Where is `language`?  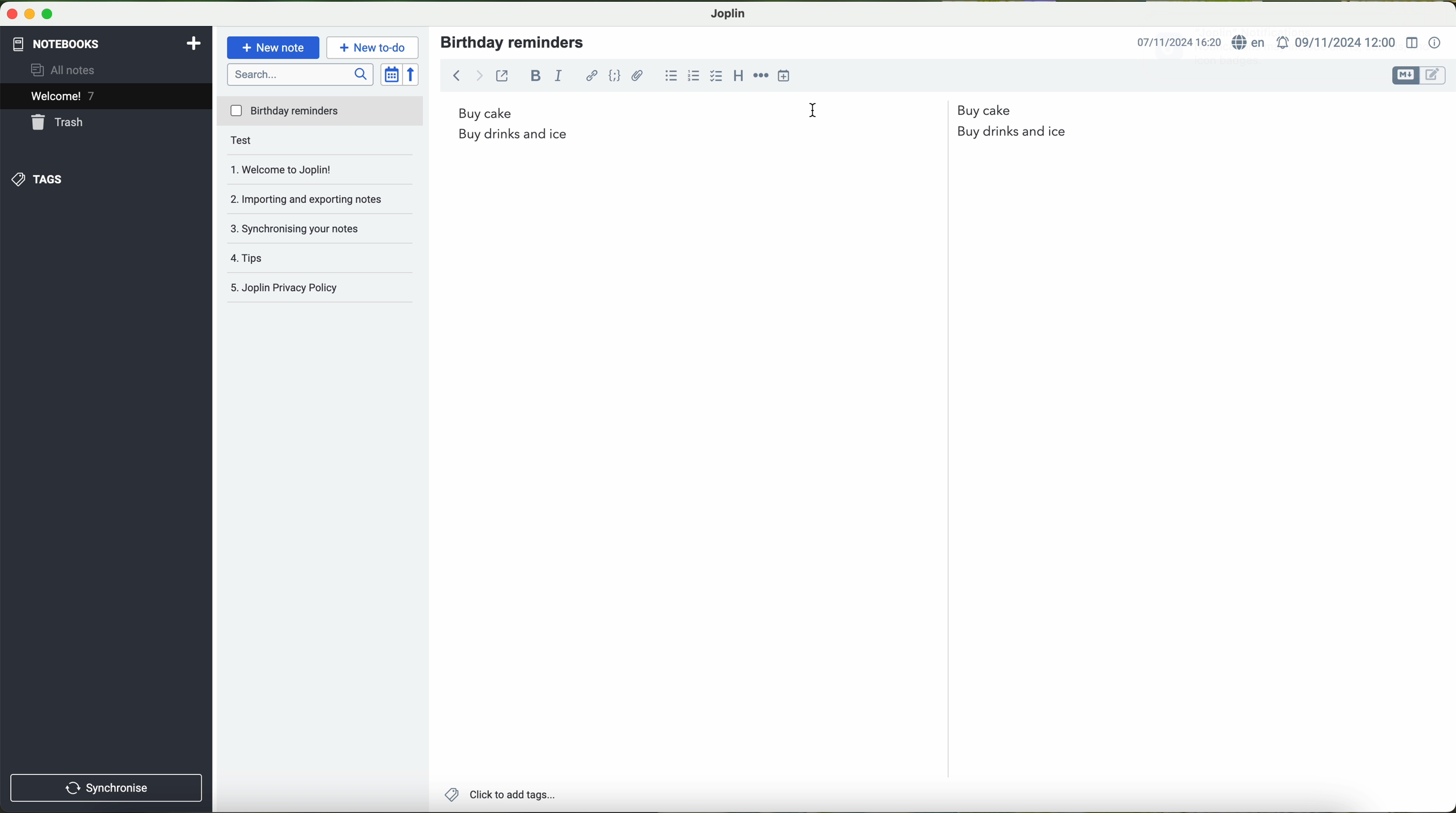 language is located at coordinates (1359, 44).